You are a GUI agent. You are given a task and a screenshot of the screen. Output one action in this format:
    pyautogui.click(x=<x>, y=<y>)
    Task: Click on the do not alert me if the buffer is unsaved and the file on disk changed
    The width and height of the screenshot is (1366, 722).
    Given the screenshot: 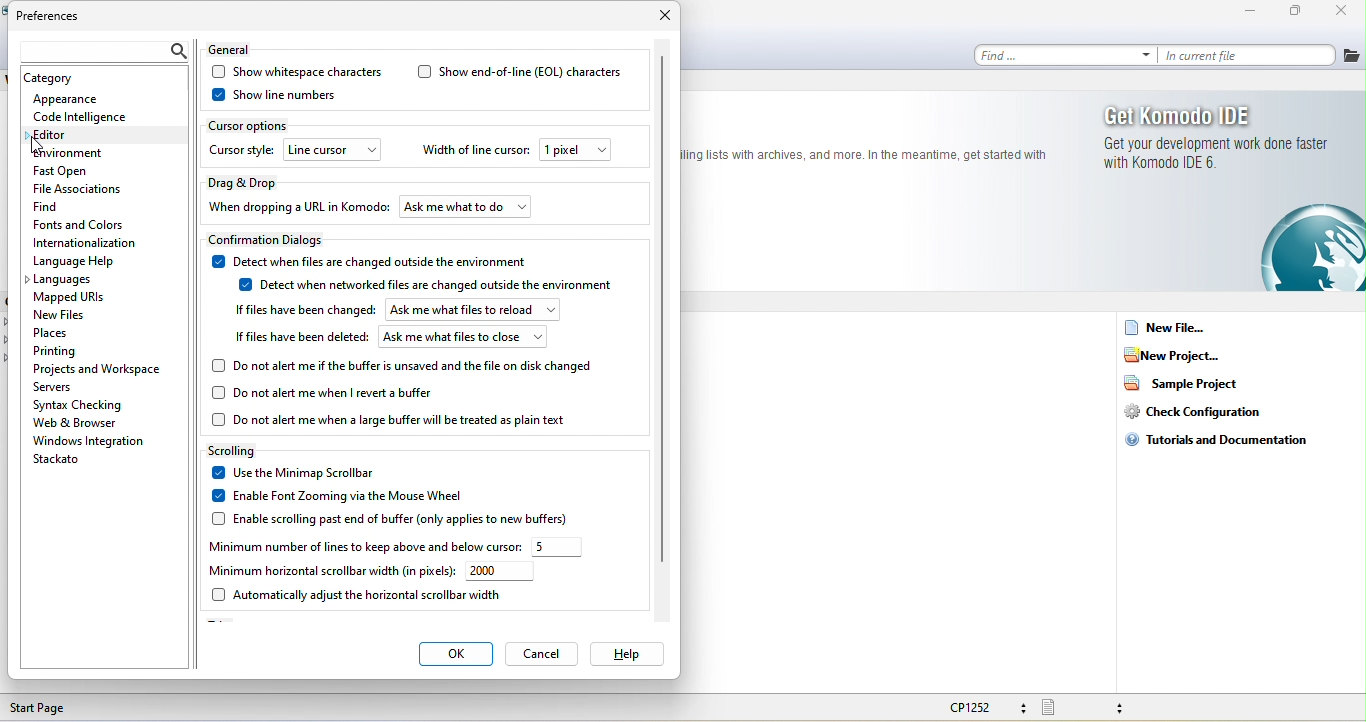 What is the action you would take?
    pyautogui.click(x=405, y=365)
    